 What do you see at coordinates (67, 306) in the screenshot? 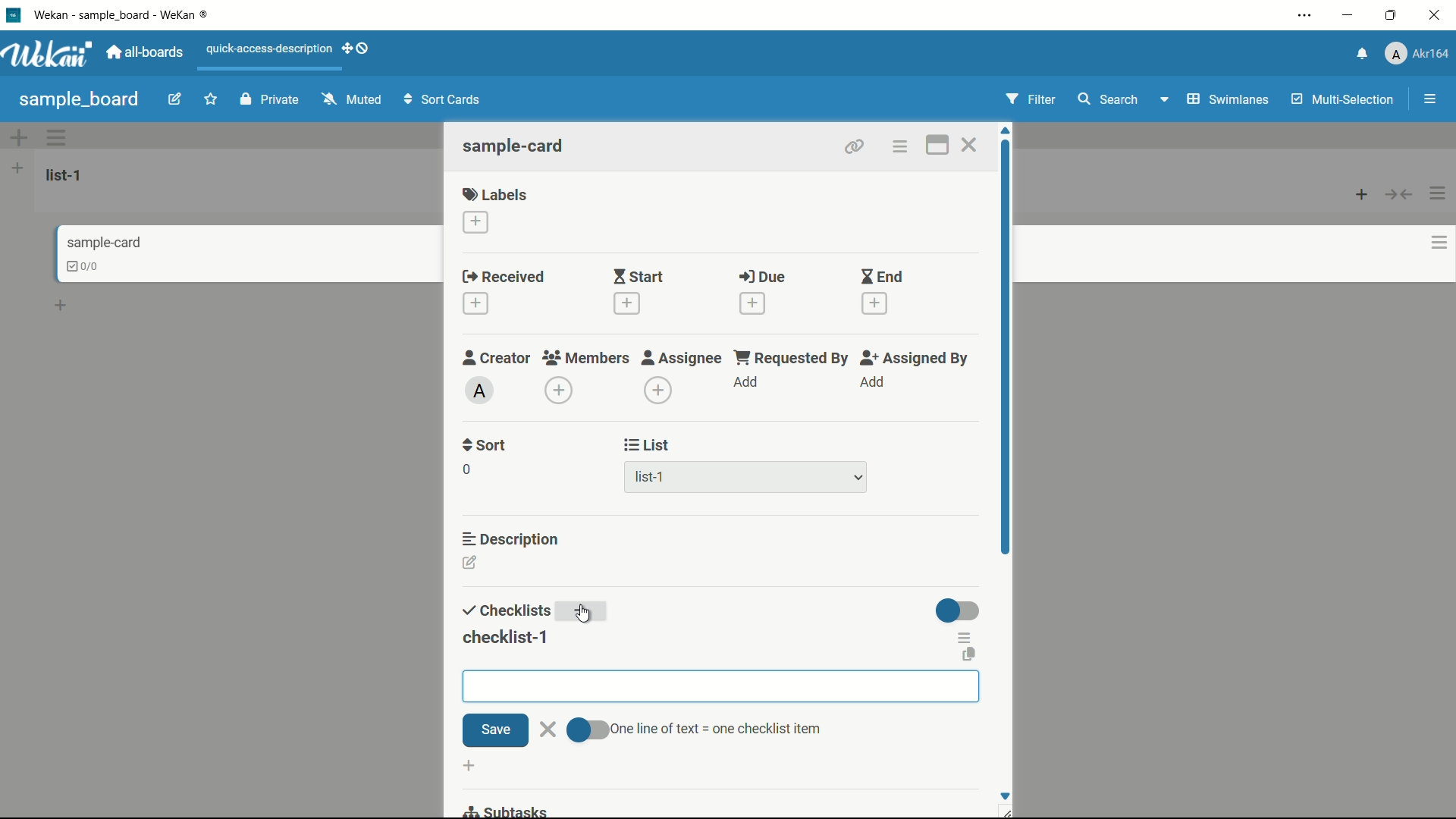
I see `add card bottom` at bounding box center [67, 306].